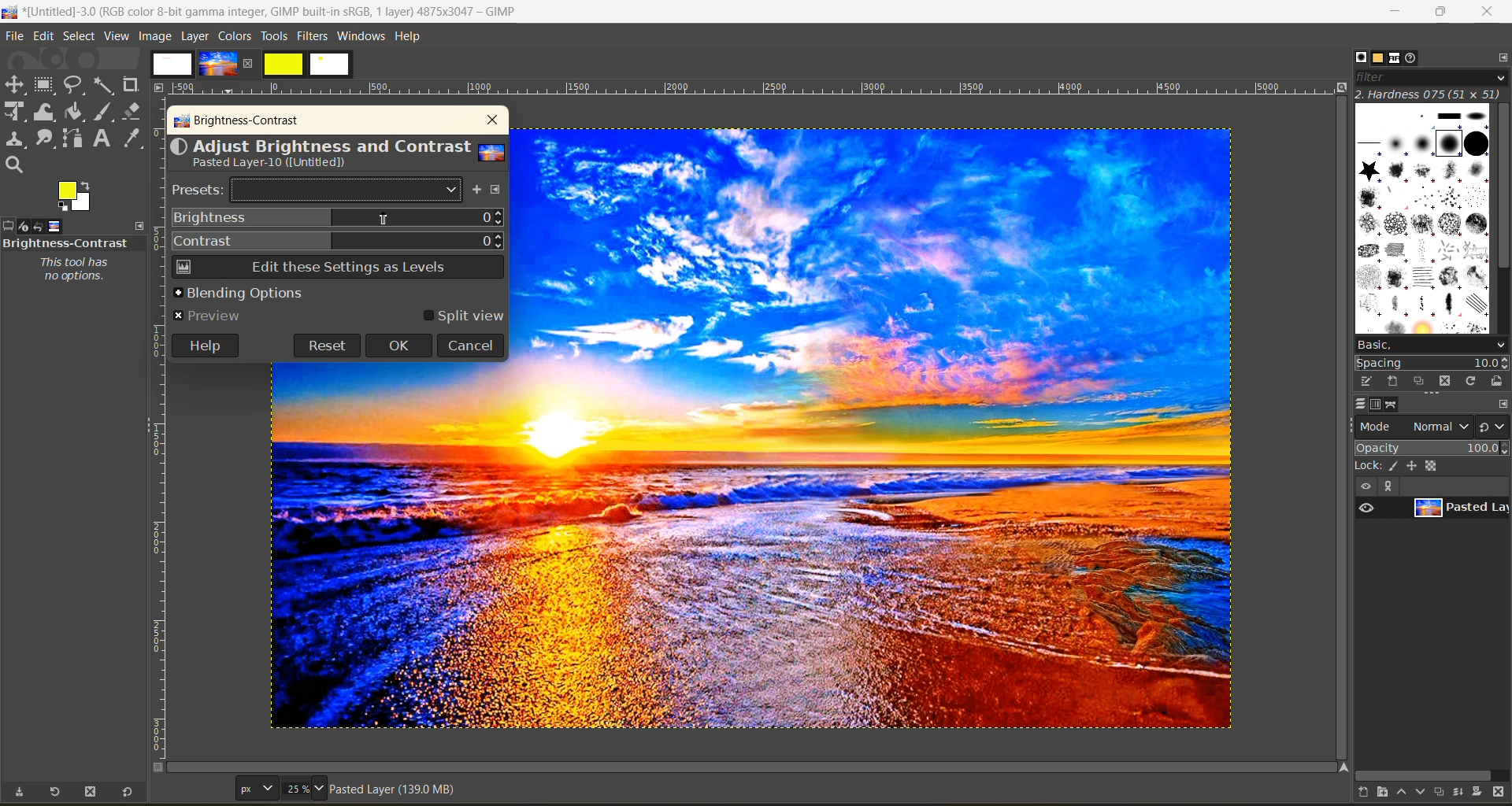  What do you see at coordinates (9, 226) in the screenshot?
I see `tool options` at bounding box center [9, 226].